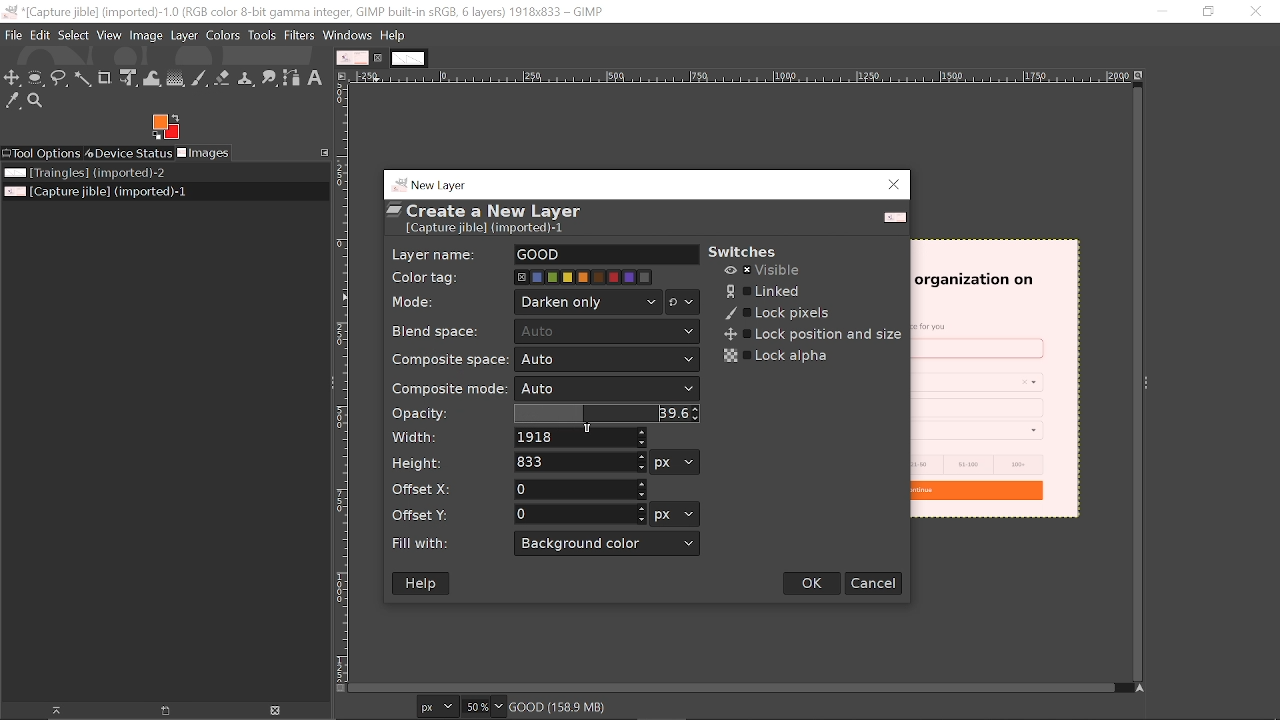 This screenshot has height=720, width=1280. What do you see at coordinates (1142, 689) in the screenshot?
I see `Navigate this display` at bounding box center [1142, 689].